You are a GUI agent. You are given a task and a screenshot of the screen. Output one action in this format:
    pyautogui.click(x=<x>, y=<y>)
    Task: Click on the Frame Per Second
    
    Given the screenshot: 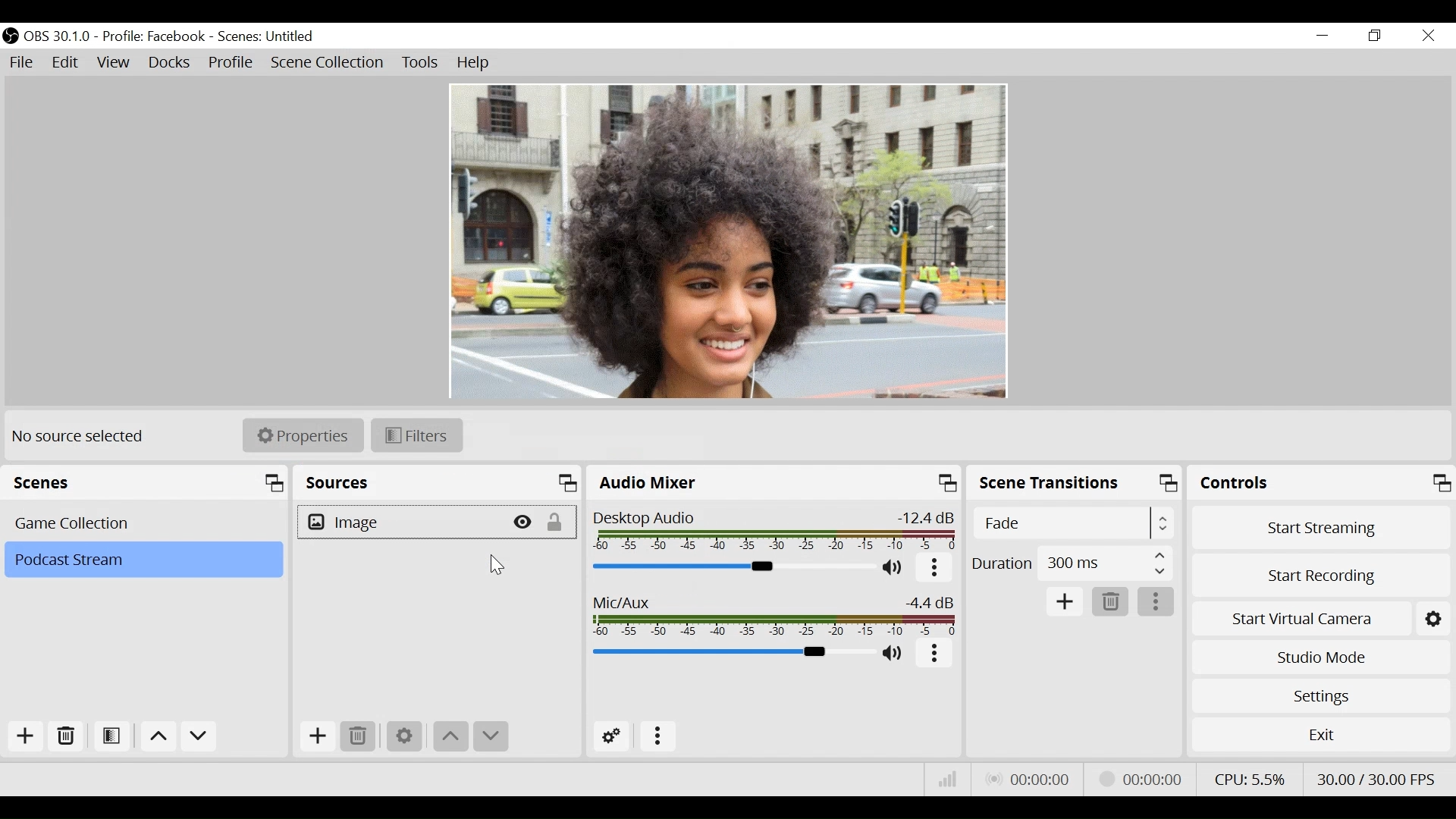 What is the action you would take?
    pyautogui.click(x=1377, y=778)
    